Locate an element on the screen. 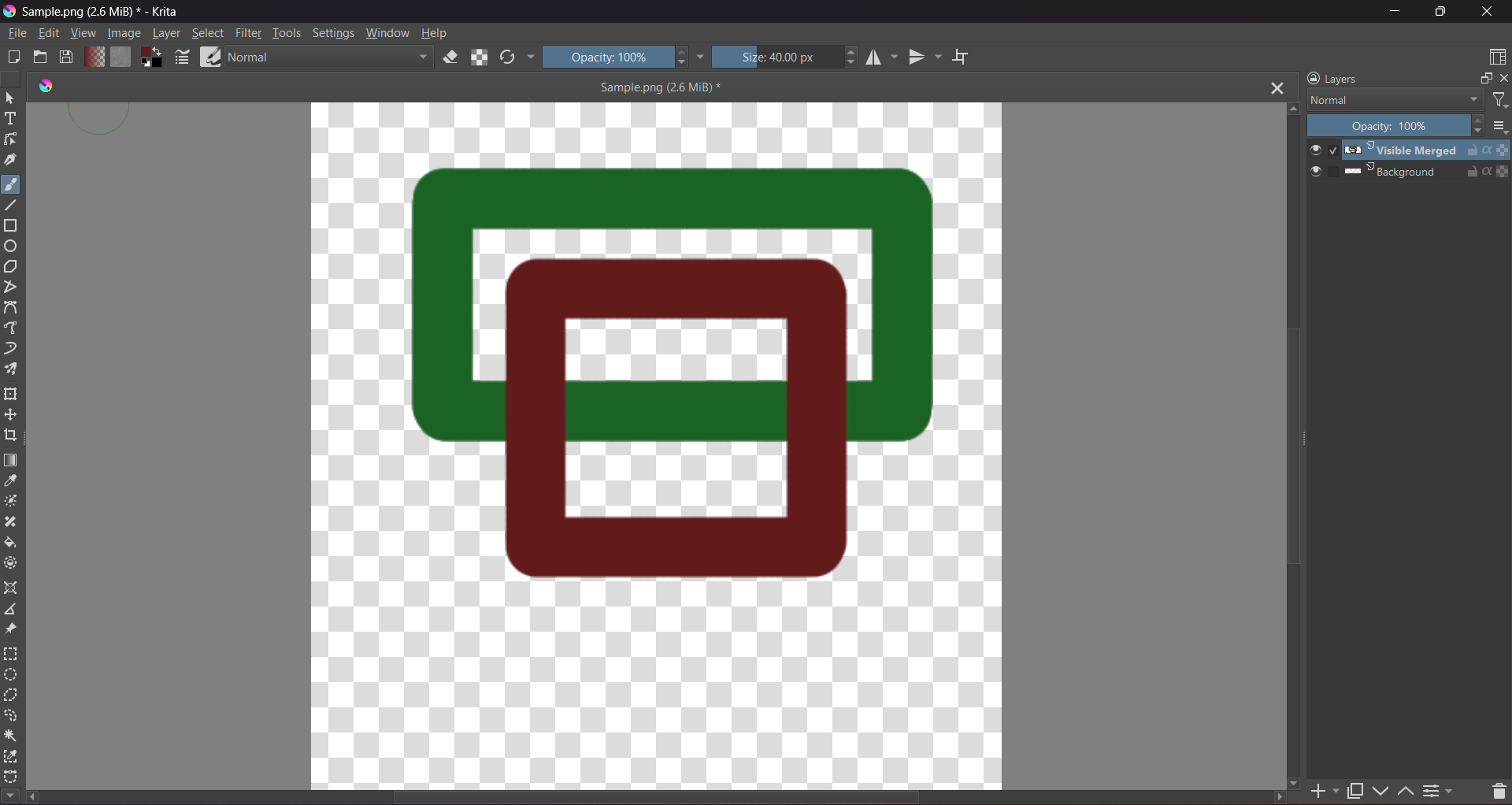 This screenshot has height=805, width=1512. Scroll left is located at coordinates (35, 798).